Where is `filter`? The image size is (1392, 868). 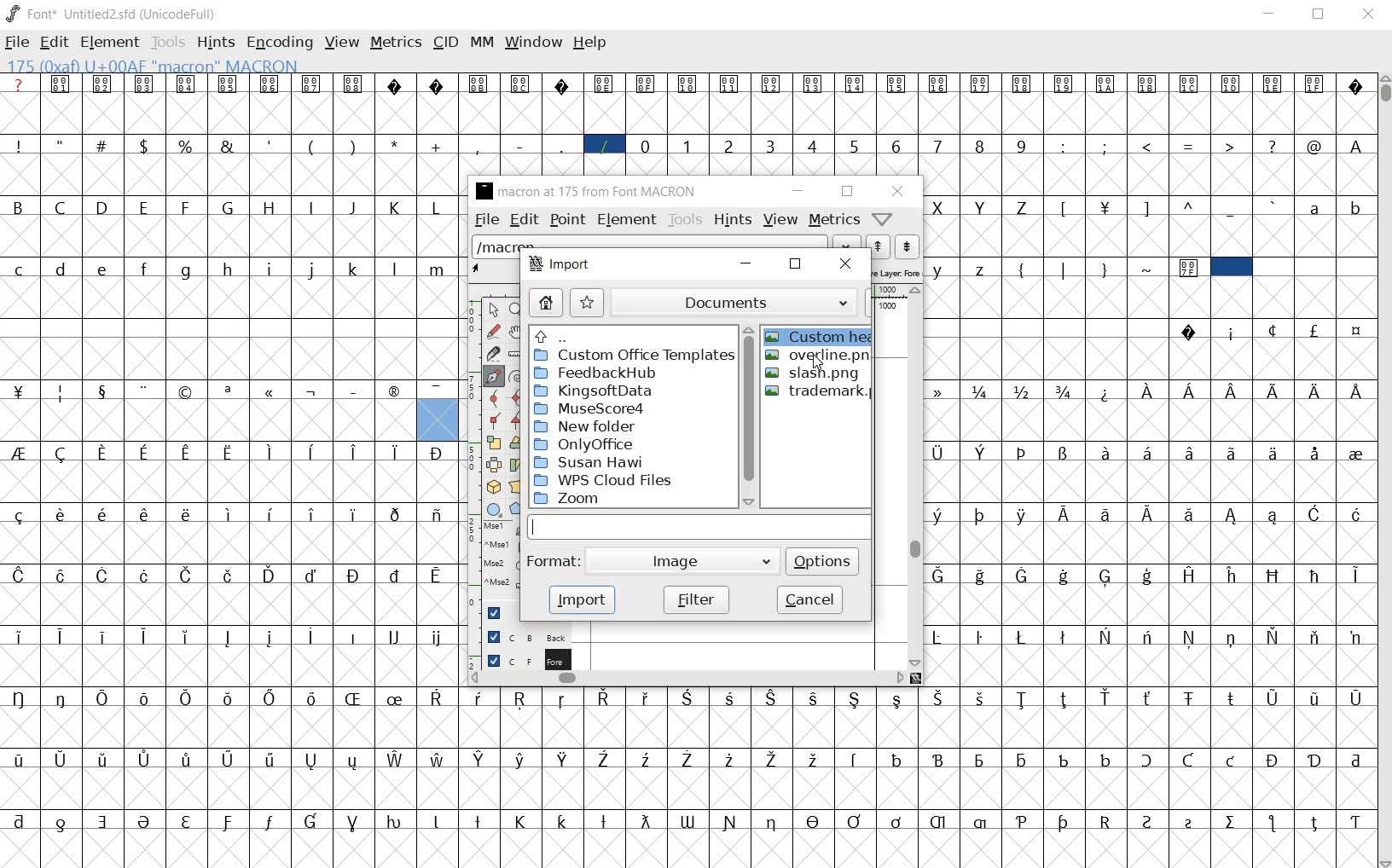
filter is located at coordinates (696, 599).